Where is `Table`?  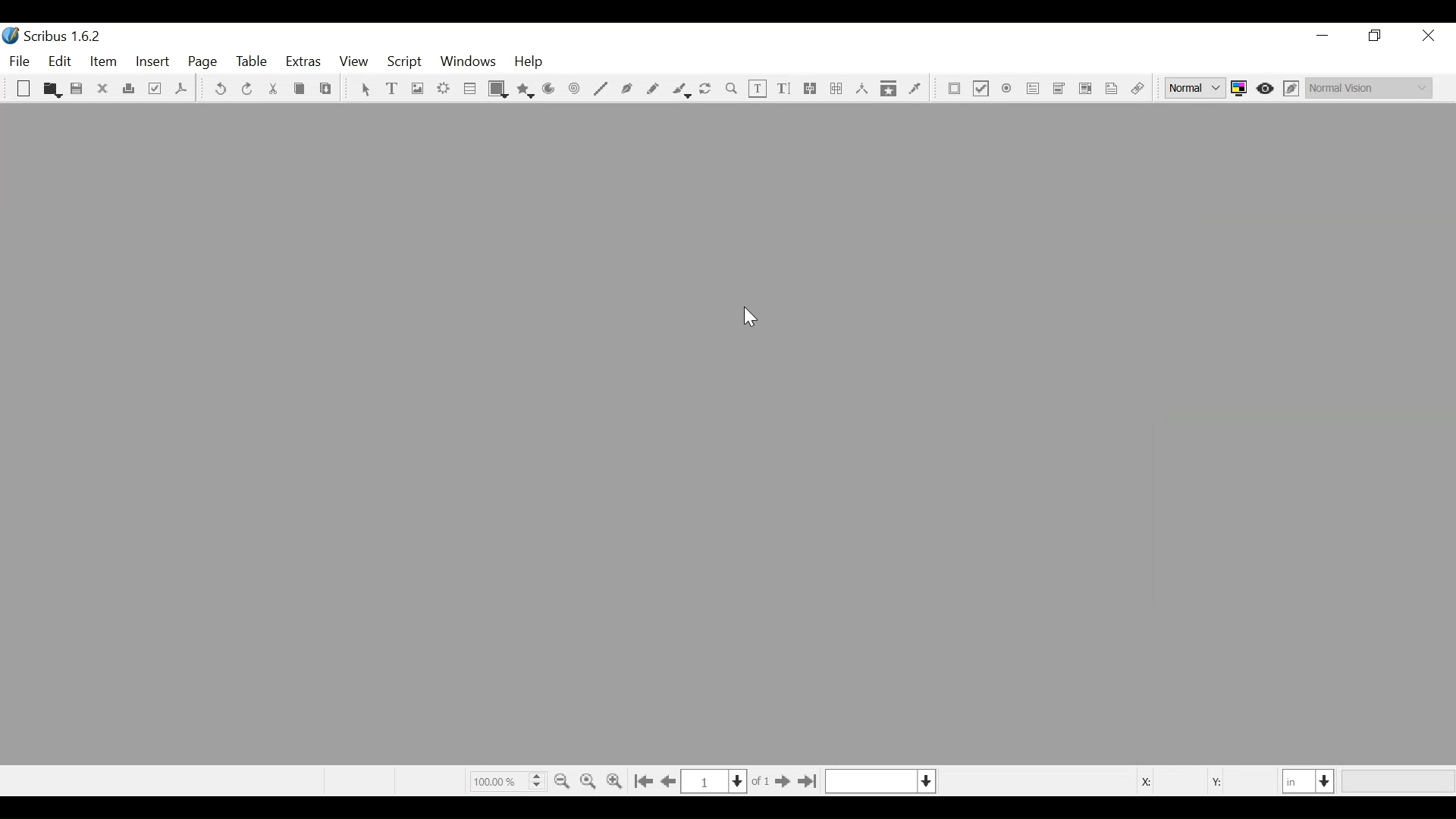 Table is located at coordinates (253, 63).